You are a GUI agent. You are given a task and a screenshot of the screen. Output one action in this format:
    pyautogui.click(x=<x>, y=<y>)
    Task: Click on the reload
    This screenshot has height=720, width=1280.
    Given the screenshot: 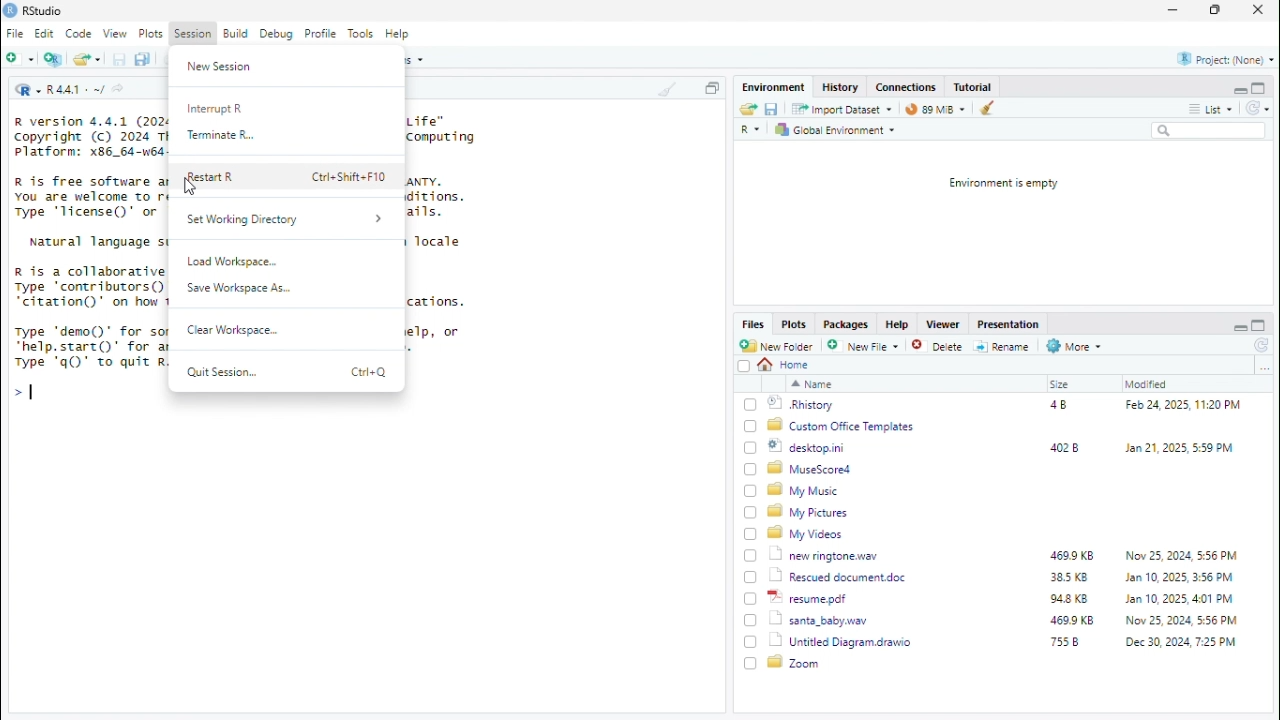 What is the action you would take?
    pyautogui.click(x=1257, y=107)
    